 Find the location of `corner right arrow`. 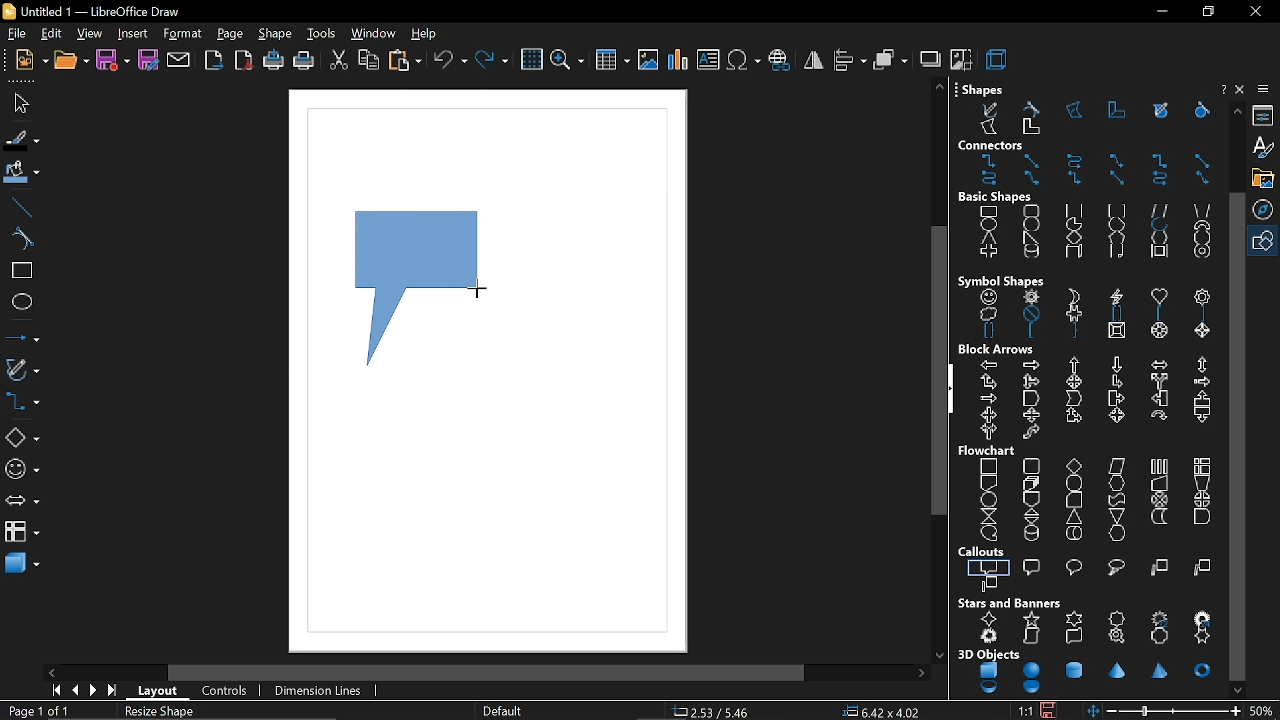

corner right arrow is located at coordinates (1117, 382).